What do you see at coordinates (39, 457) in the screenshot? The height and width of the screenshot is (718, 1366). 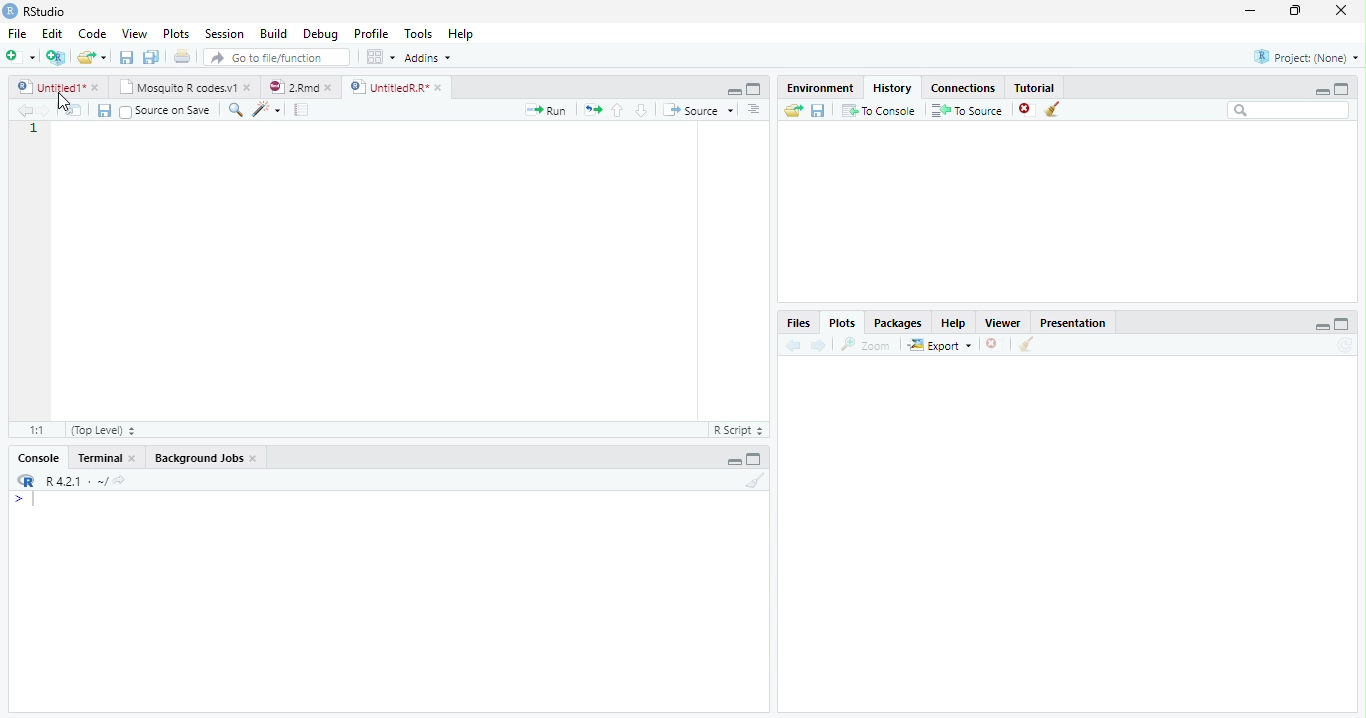 I see `Console` at bounding box center [39, 457].